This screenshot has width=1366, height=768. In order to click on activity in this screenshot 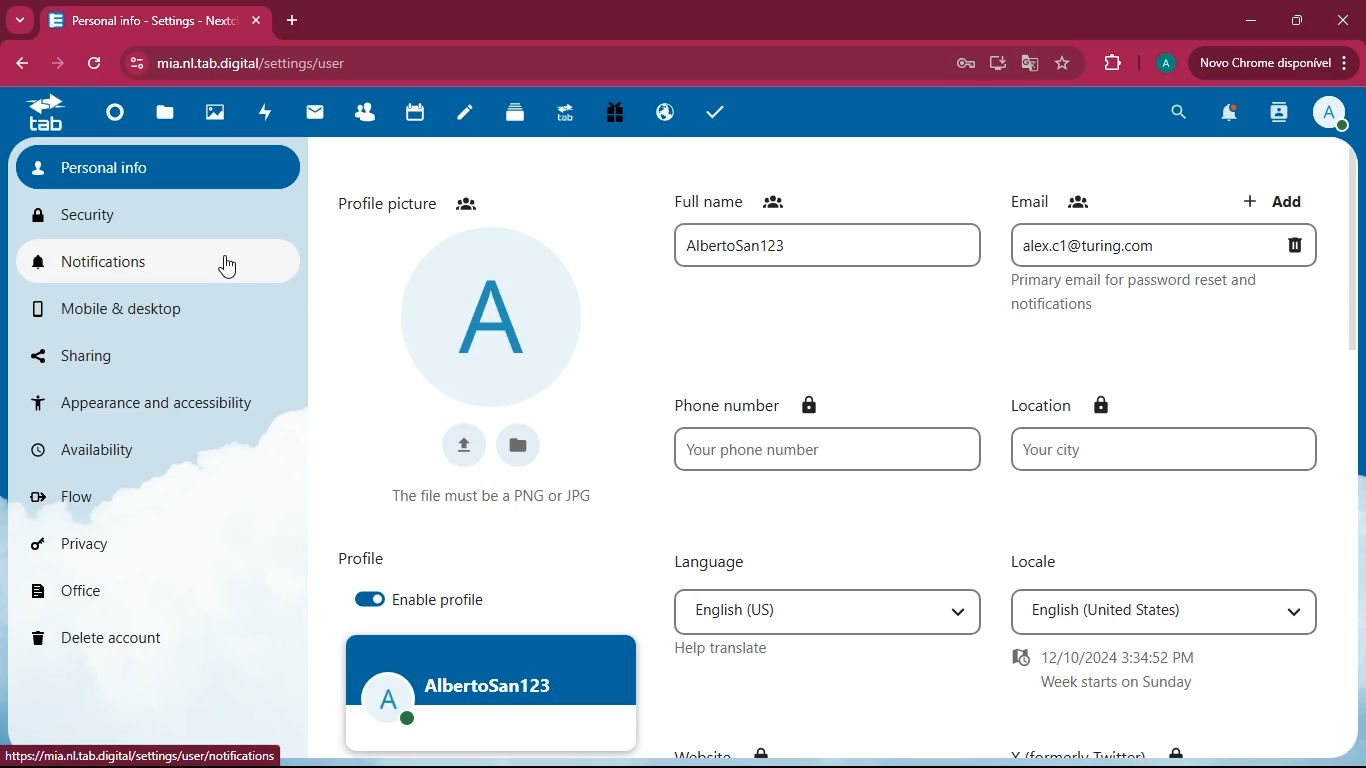, I will do `click(261, 114)`.